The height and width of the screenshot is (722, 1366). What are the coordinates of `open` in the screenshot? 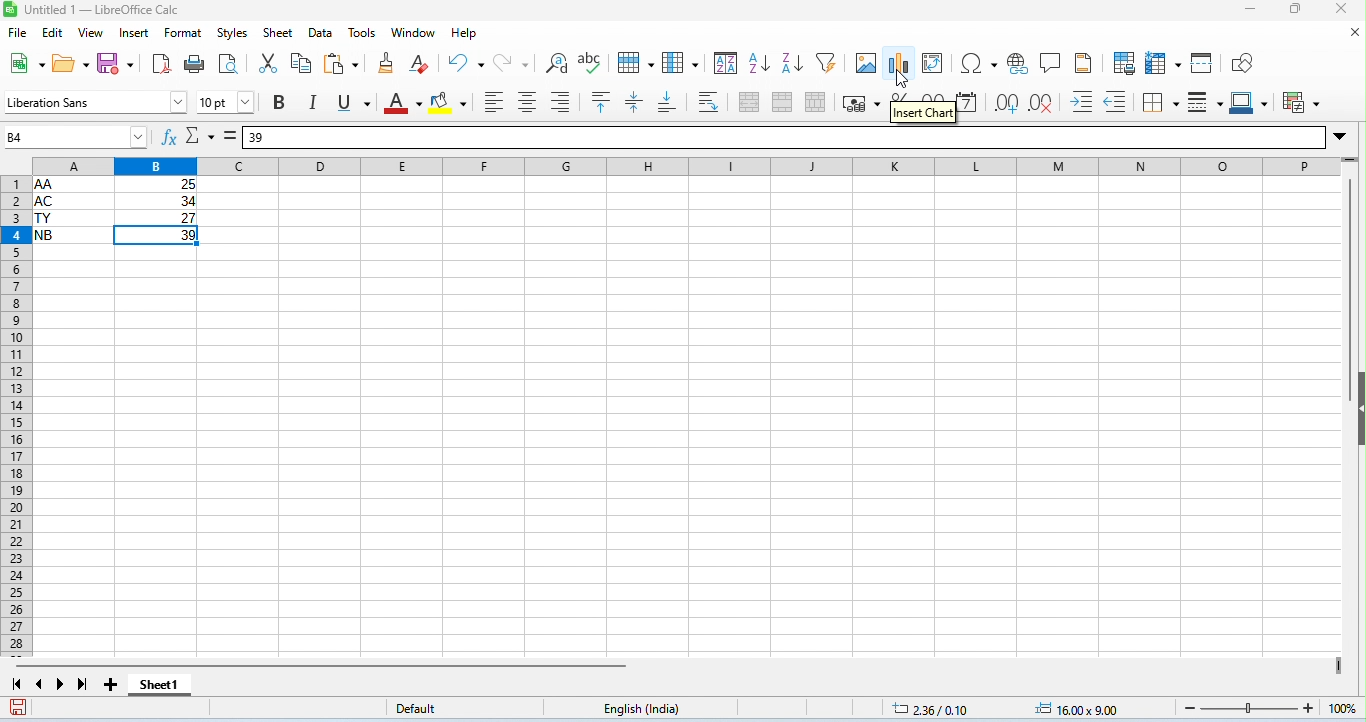 It's located at (72, 63).